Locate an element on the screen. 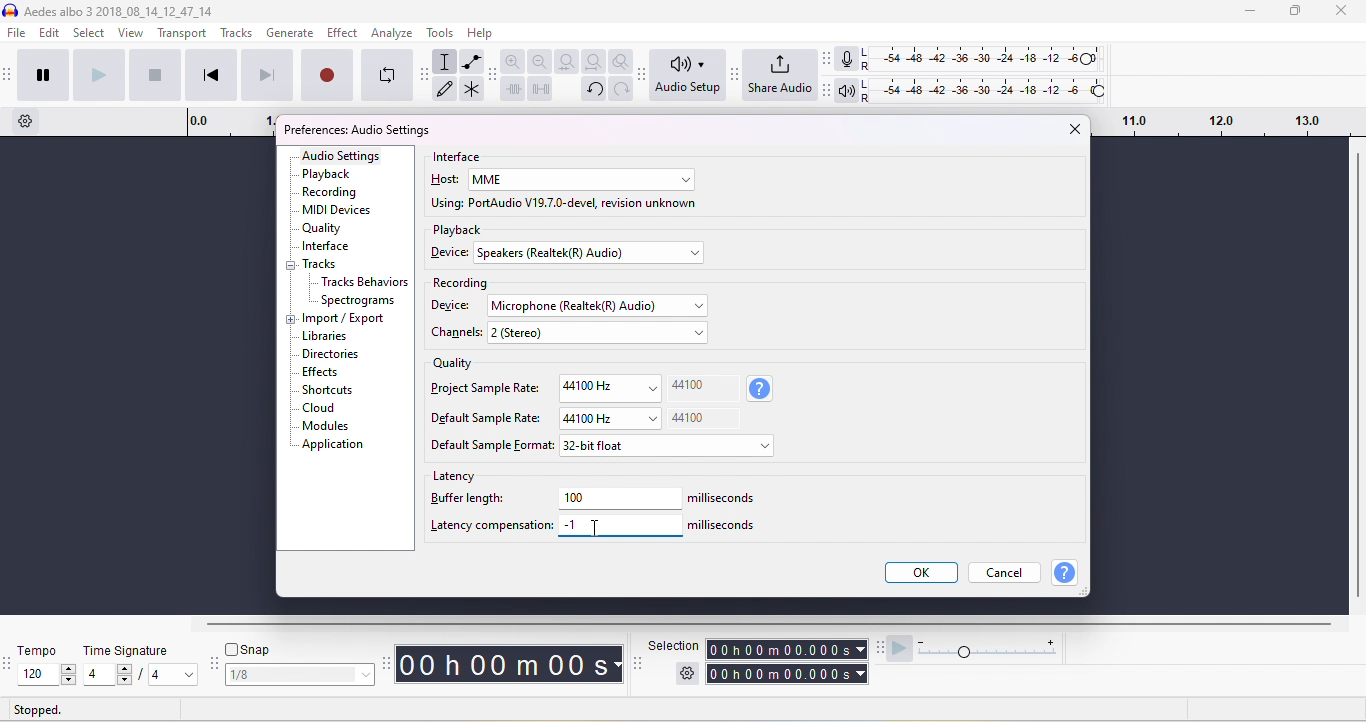 Image resolution: width=1366 pixels, height=722 pixels. interface is located at coordinates (325, 247).